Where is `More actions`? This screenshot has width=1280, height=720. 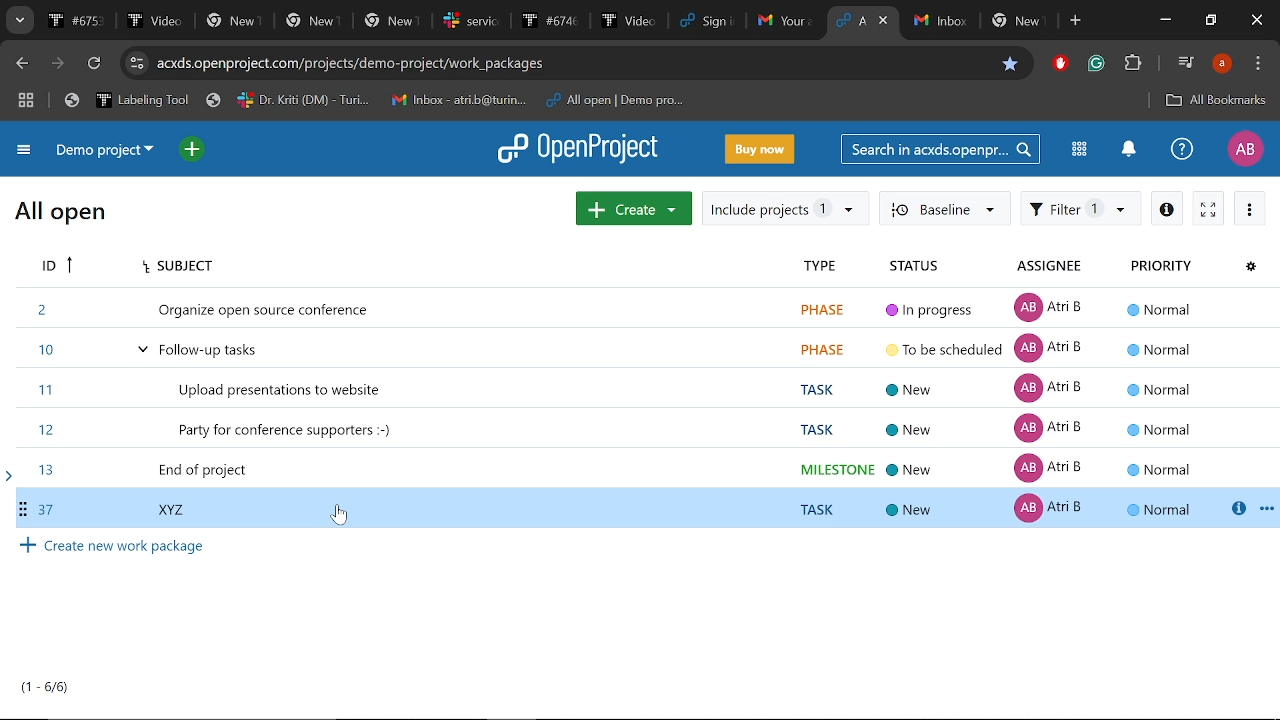 More actions is located at coordinates (1250, 208).